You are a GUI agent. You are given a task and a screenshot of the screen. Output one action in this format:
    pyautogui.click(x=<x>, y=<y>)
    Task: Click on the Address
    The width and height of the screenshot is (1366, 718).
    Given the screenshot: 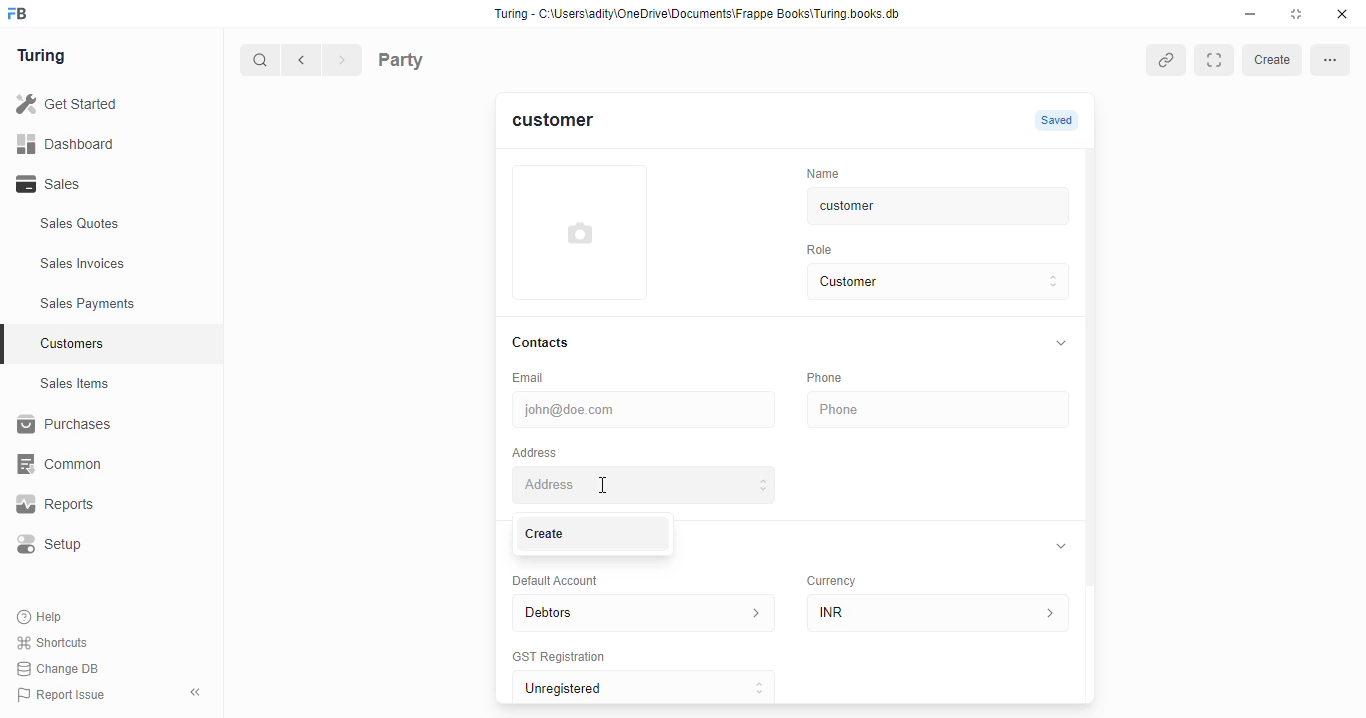 What is the action you would take?
    pyautogui.click(x=534, y=450)
    